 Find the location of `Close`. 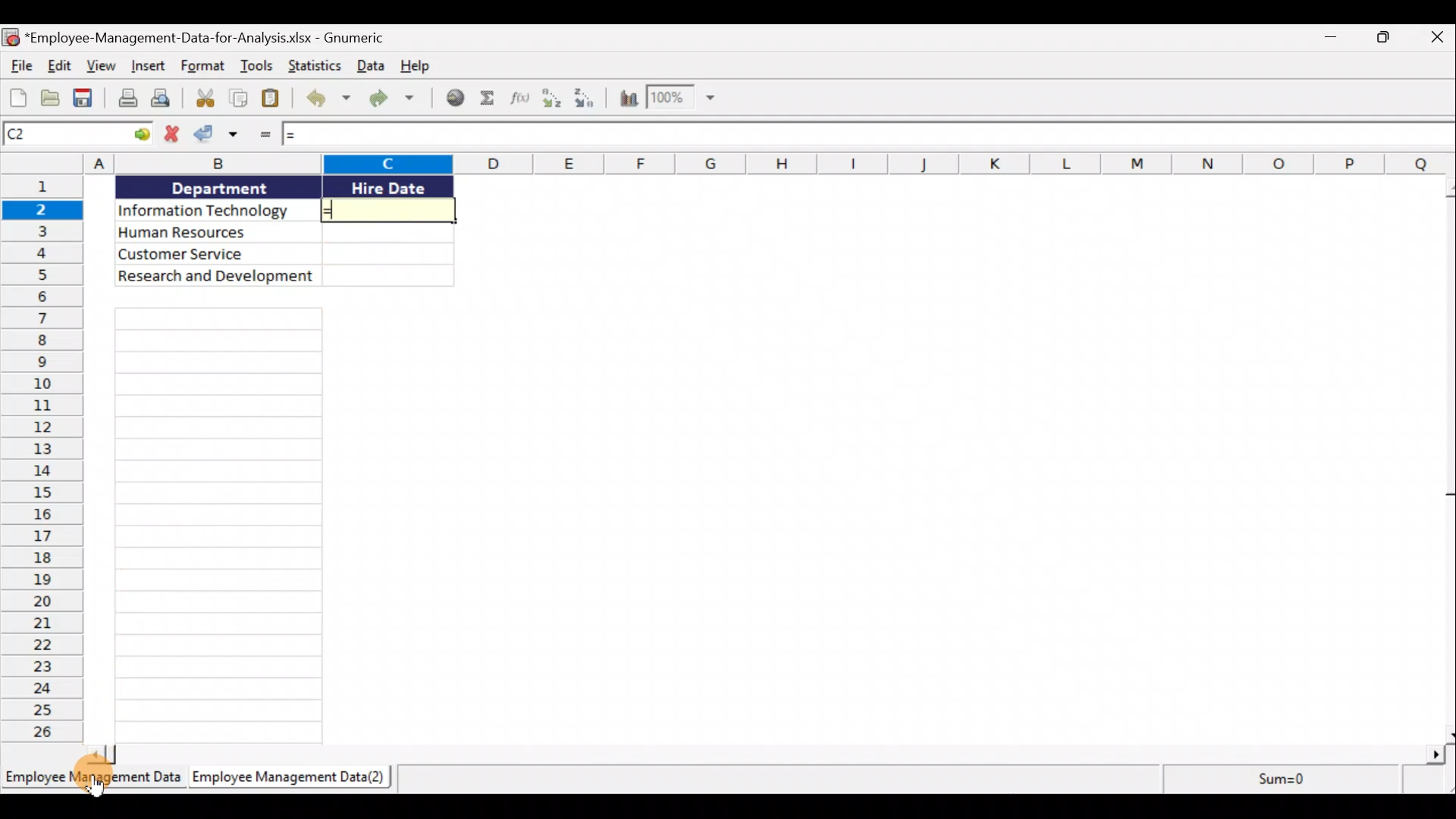

Close is located at coordinates (1439, 38).